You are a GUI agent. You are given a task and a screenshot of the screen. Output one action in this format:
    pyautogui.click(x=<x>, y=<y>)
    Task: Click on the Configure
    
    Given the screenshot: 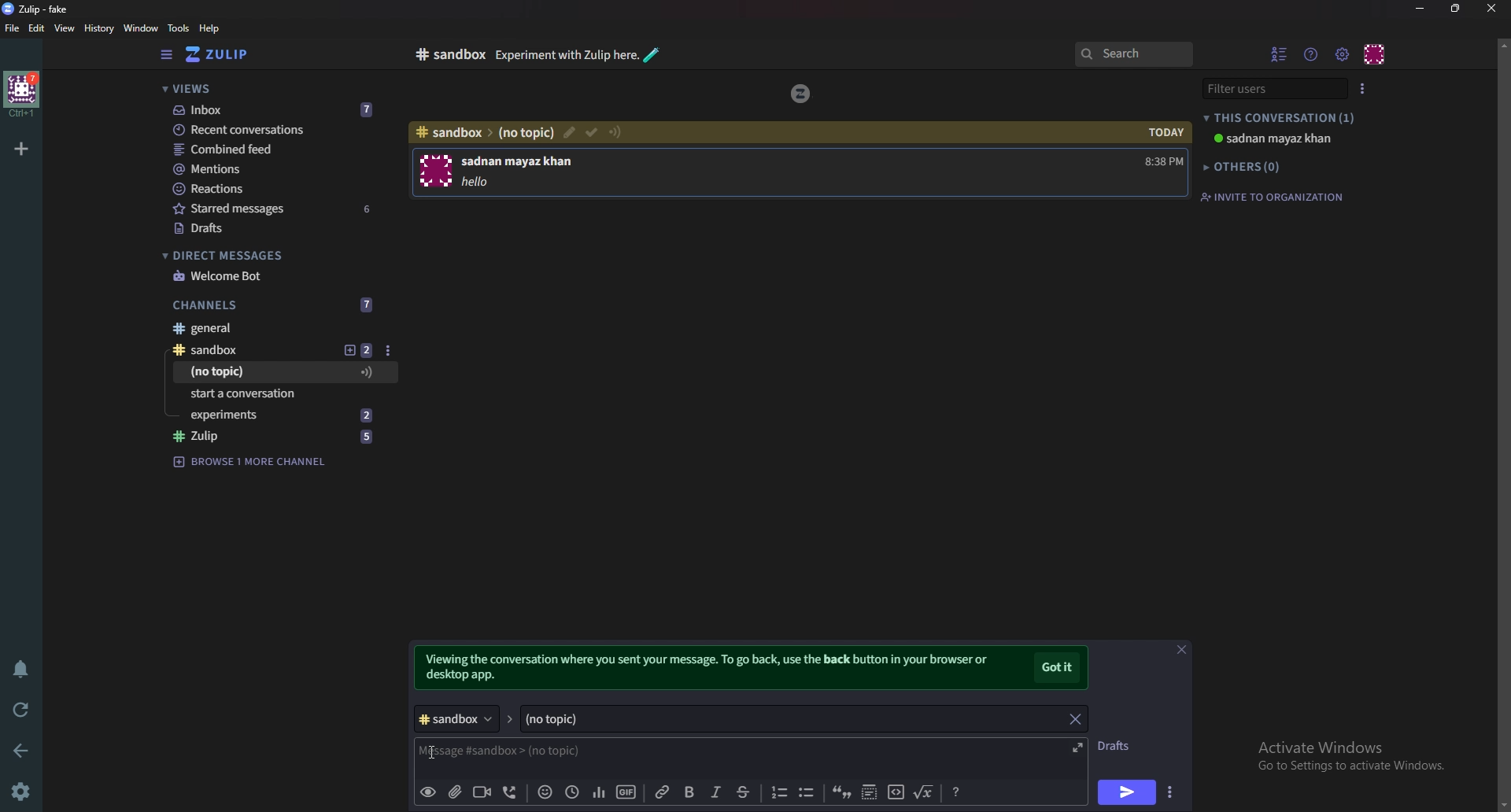 What is the action you would take?
    pyautogui.click(x=617, y=131)
    